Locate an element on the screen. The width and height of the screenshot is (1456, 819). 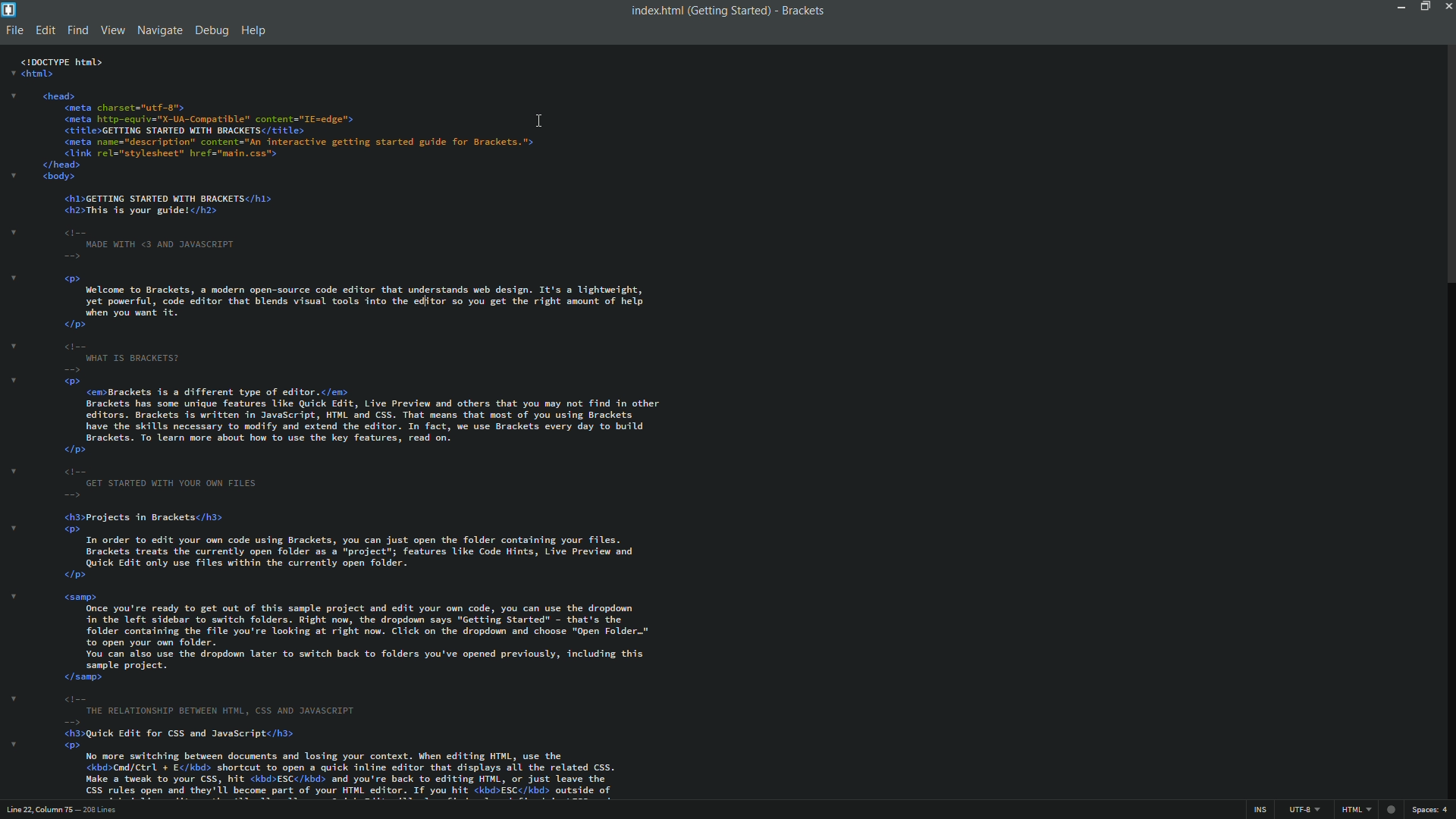
spaces: 4 is located at coordinates (1430, 810).